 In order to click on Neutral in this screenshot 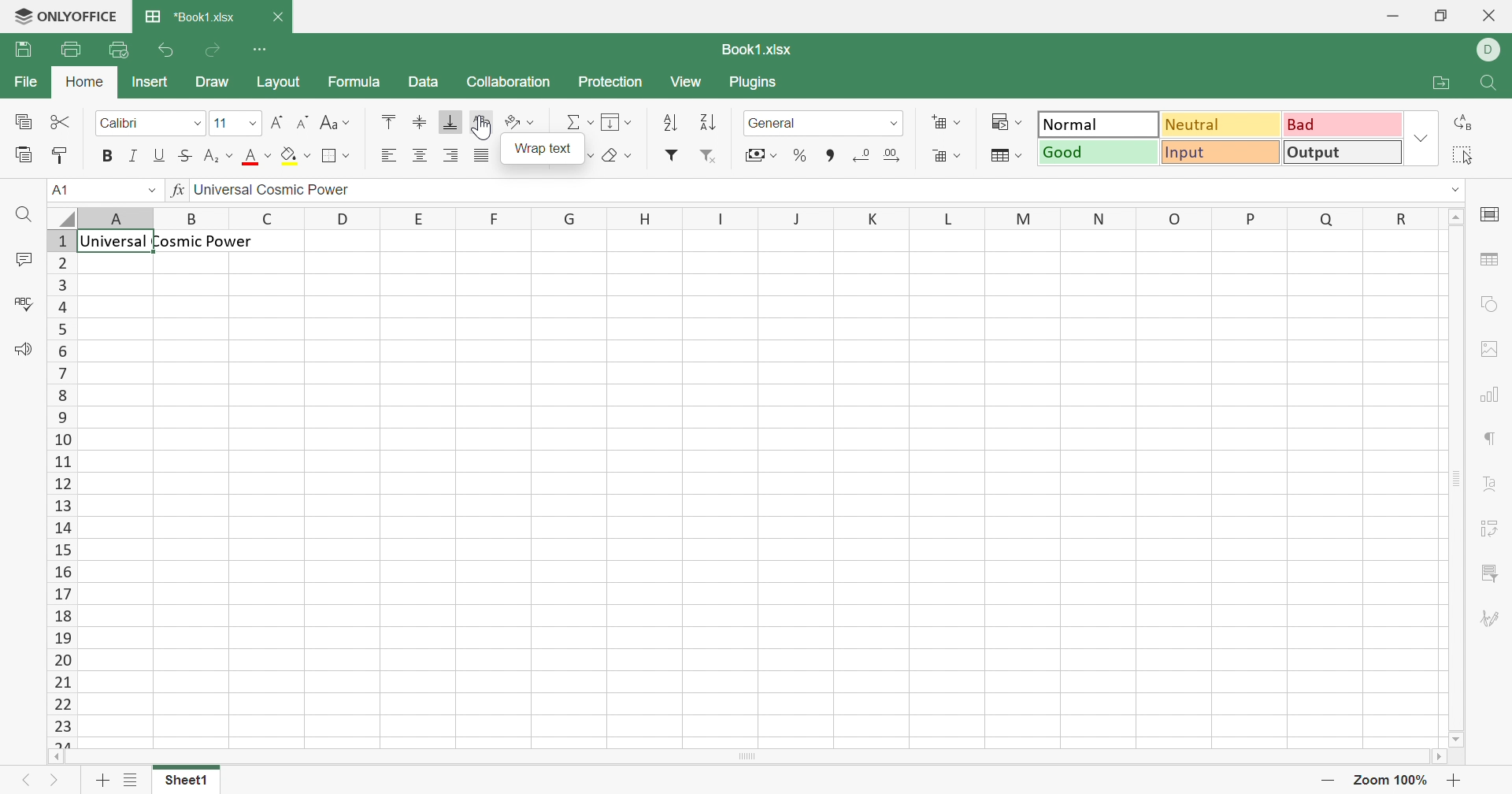, I will do `click(1221, 127)`.